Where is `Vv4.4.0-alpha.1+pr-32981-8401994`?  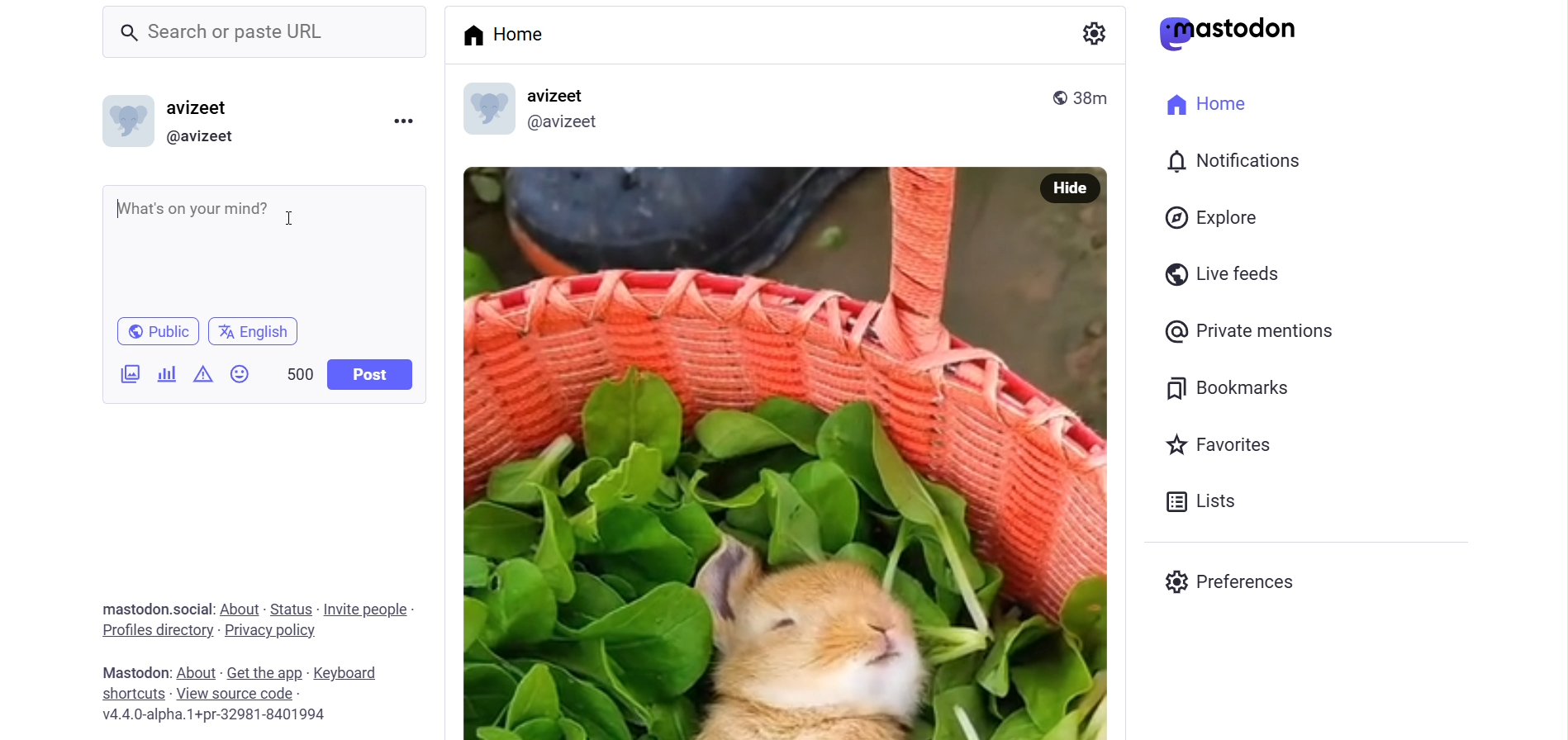
Vv4.4.0-alpha.1+pr-32981-8401994 is located at coordinates (227, 716).